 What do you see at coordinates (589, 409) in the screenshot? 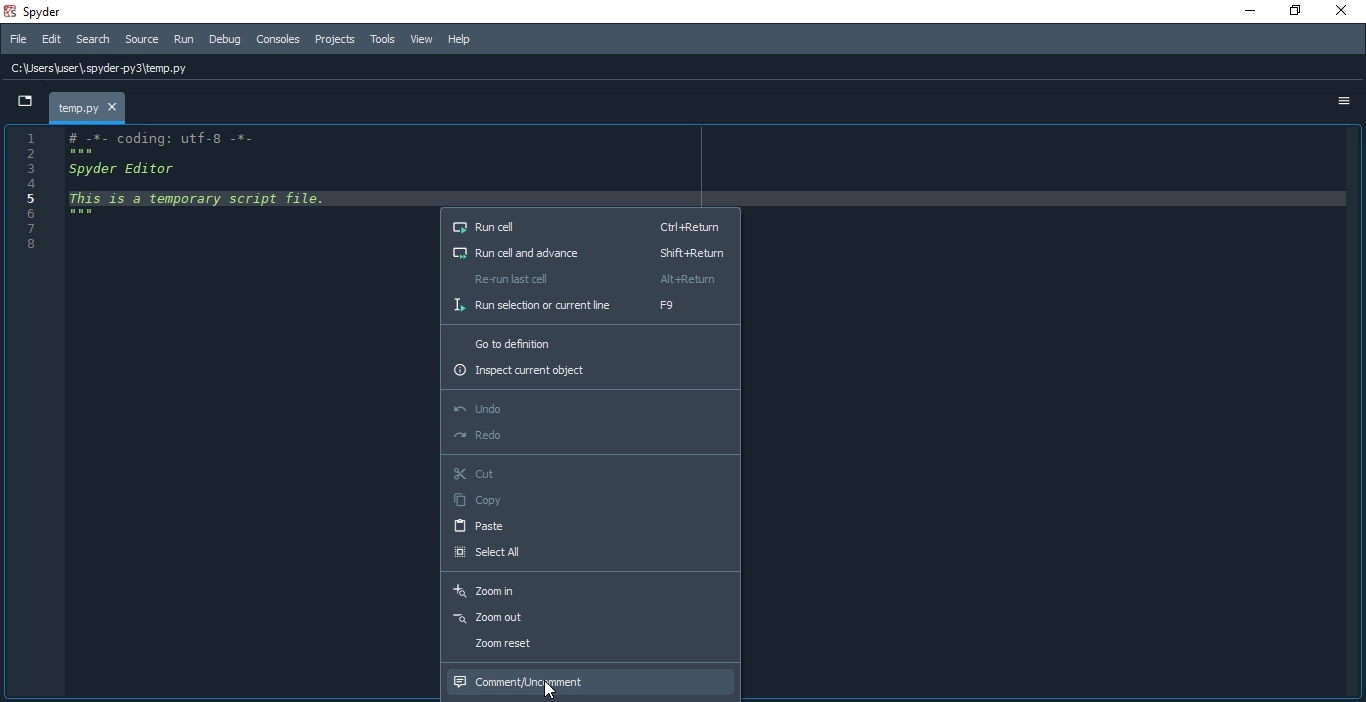
I see `Undo` at bounding box center [589, 409].